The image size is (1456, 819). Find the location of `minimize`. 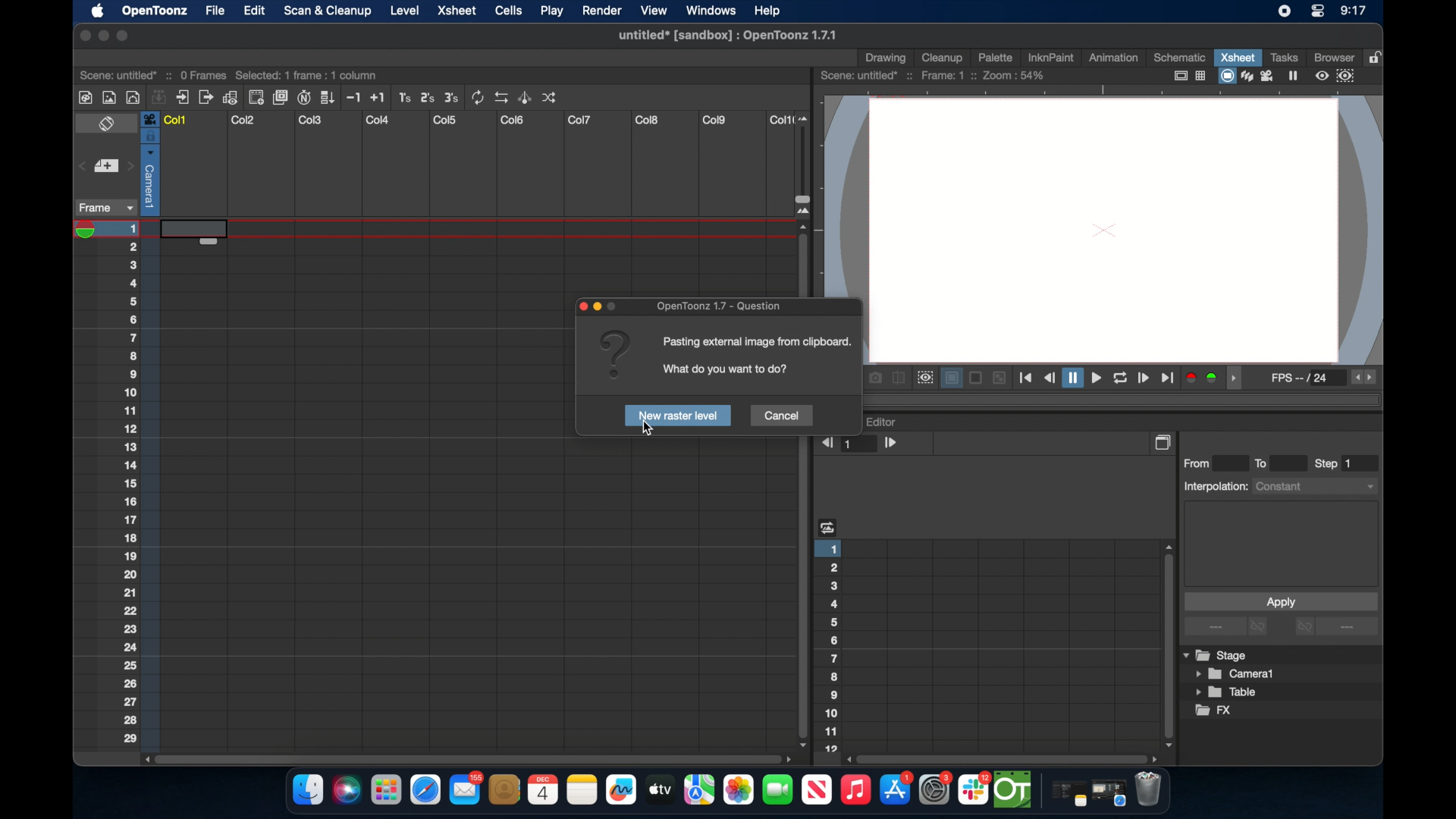

minimize is located at coordinates (102, 36).